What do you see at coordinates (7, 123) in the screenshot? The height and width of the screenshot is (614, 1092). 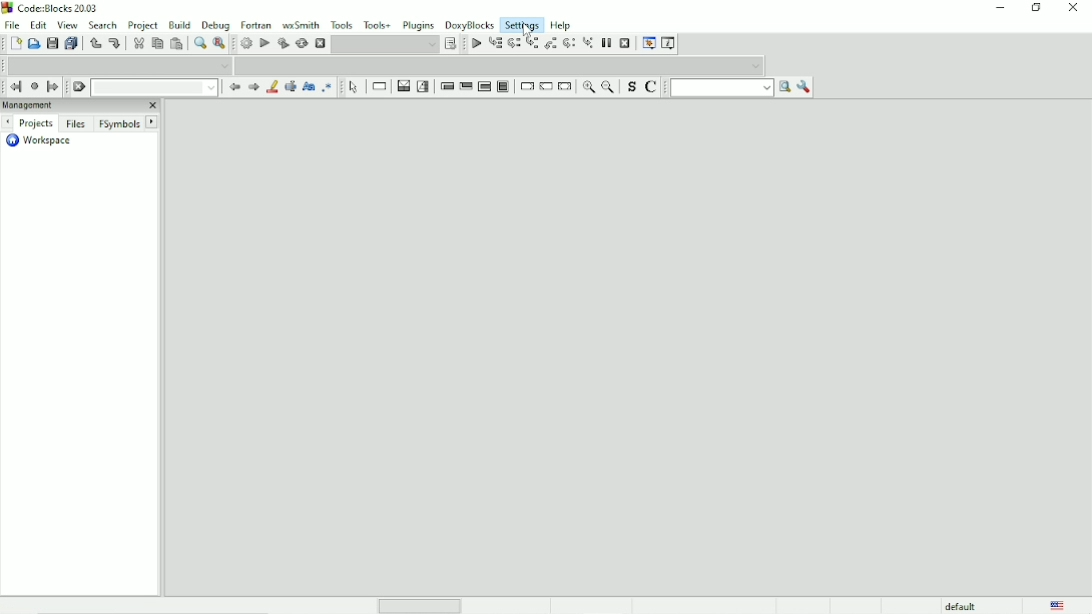 I see `Next` at bounding box center [7, 123].